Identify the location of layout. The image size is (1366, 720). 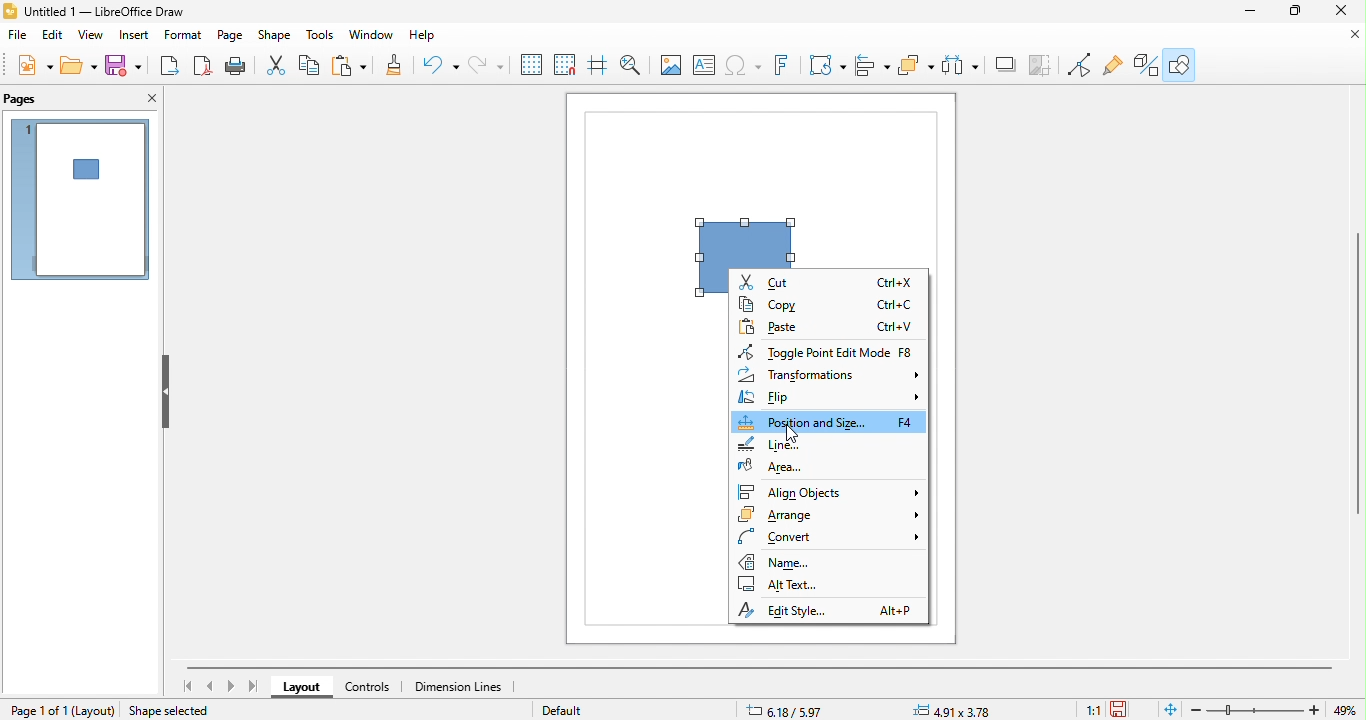
(96, 710).